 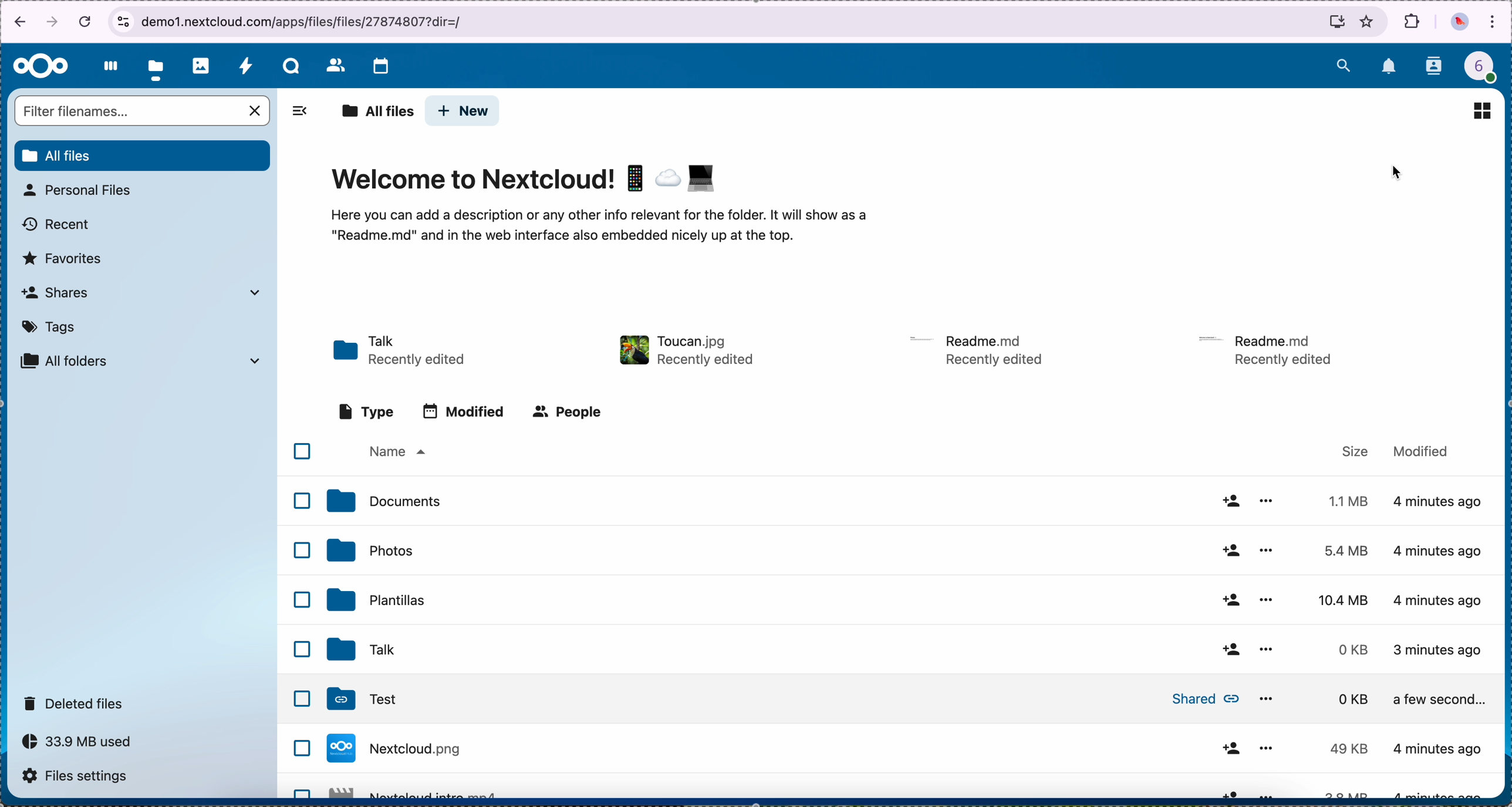 I want to click on all files button, so click(x=144, y=156).